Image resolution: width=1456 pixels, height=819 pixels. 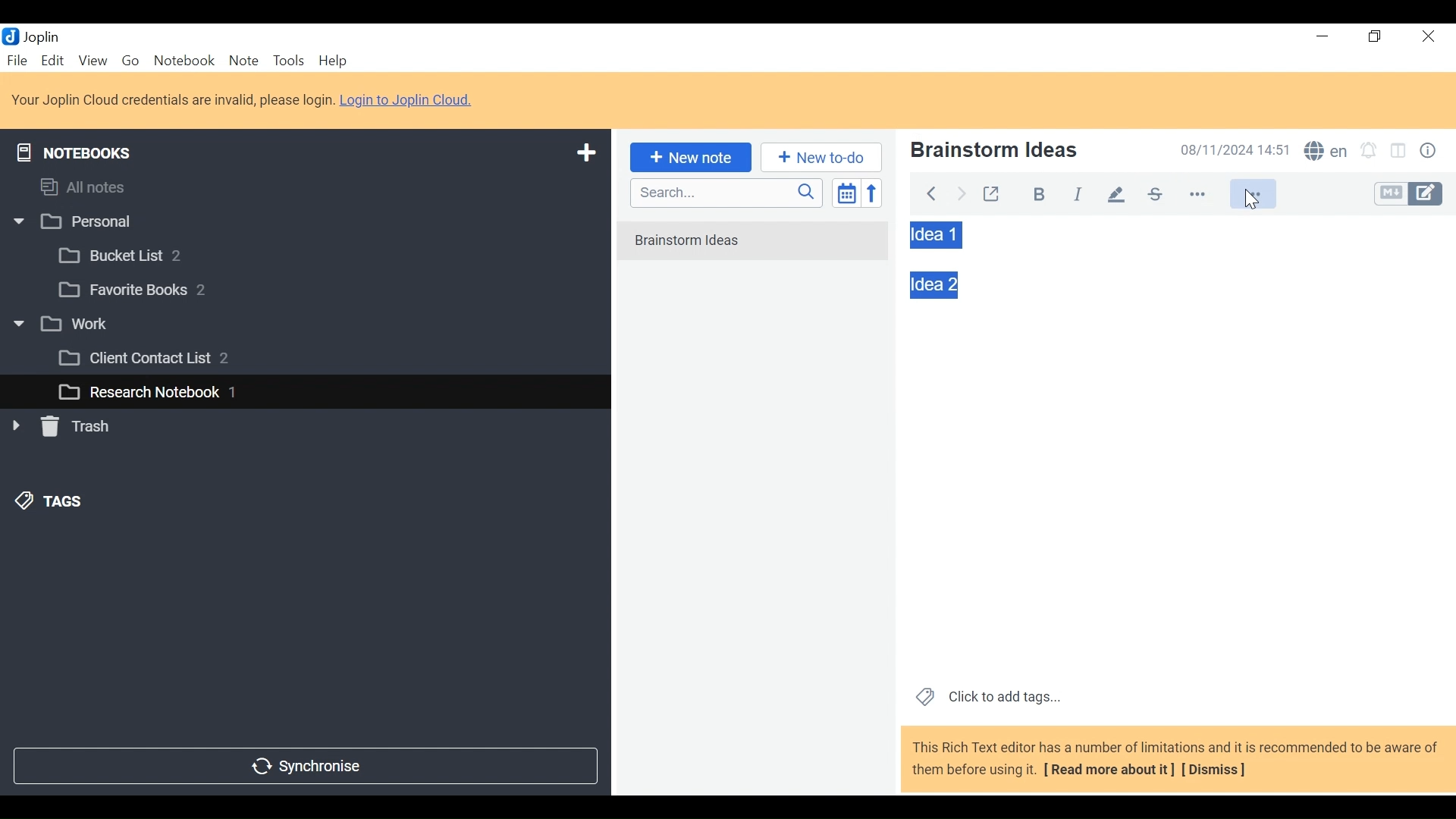 What do you see at coordinates (930, 191) in the screenshot?
I see `Back` at bounding box center [930, 191].